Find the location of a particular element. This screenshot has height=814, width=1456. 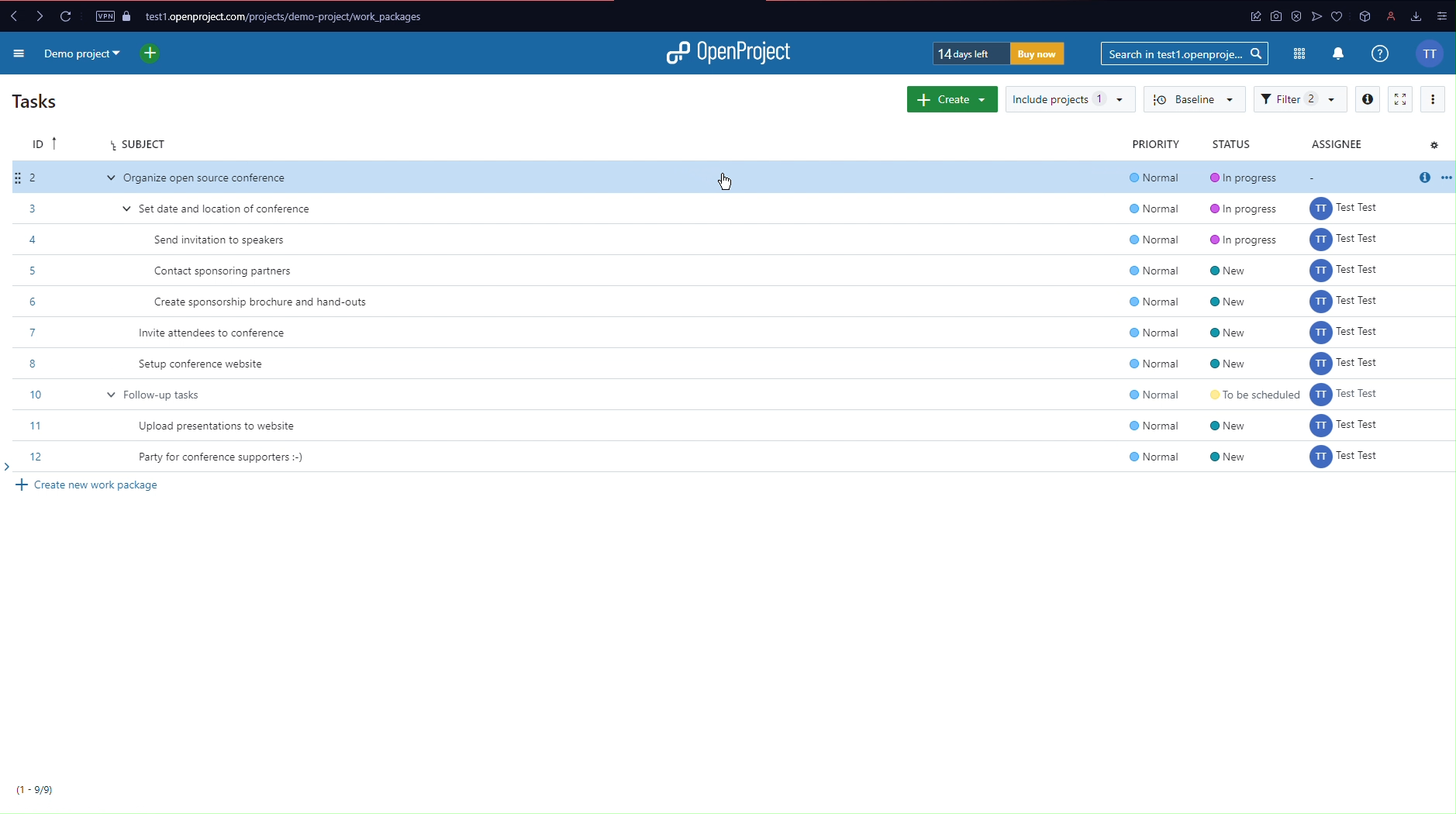

Create new work package is located at coordinates (91, 487).